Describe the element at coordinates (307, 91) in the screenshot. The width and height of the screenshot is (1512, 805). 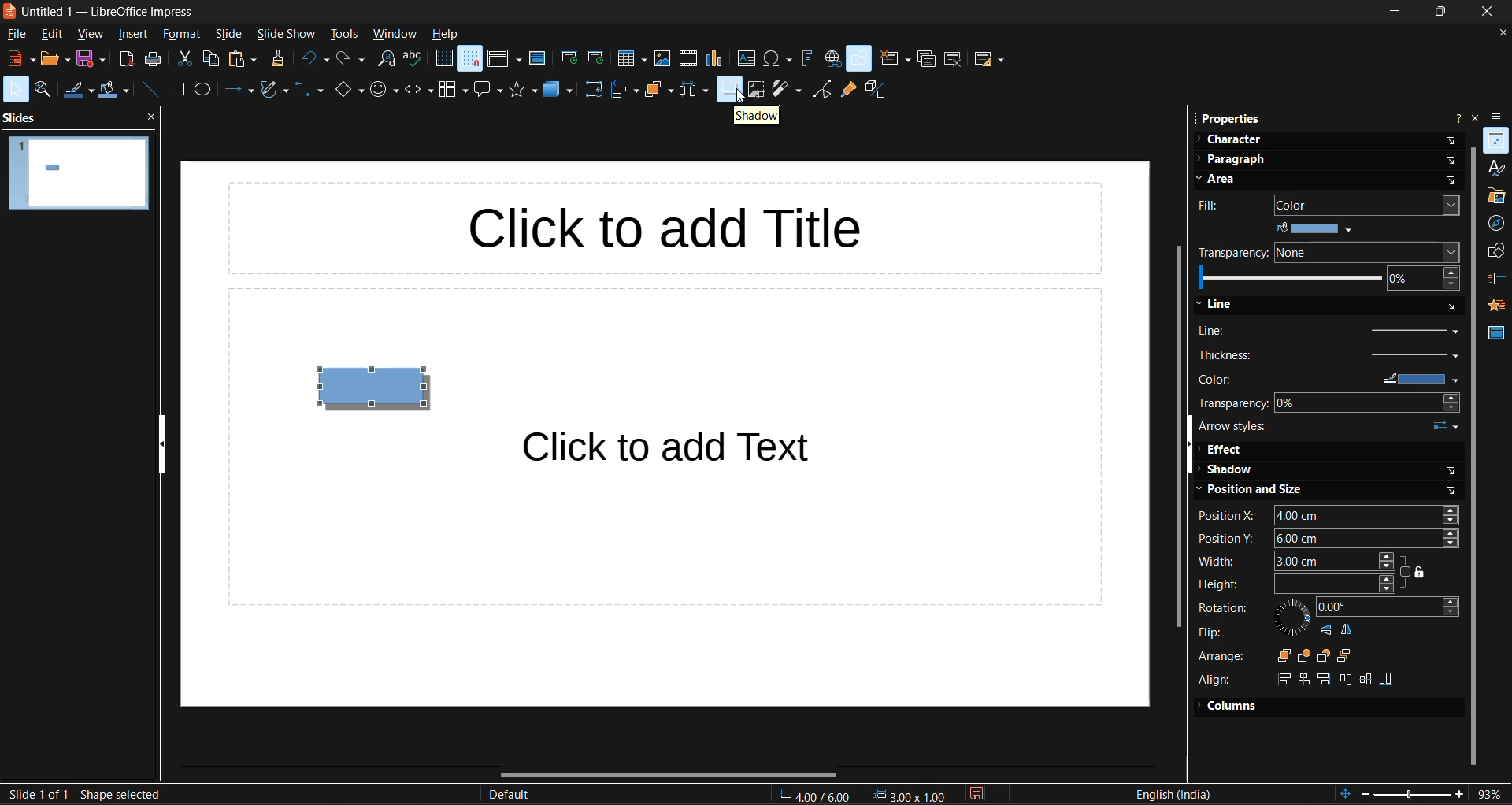
I see `connectors` at that location.